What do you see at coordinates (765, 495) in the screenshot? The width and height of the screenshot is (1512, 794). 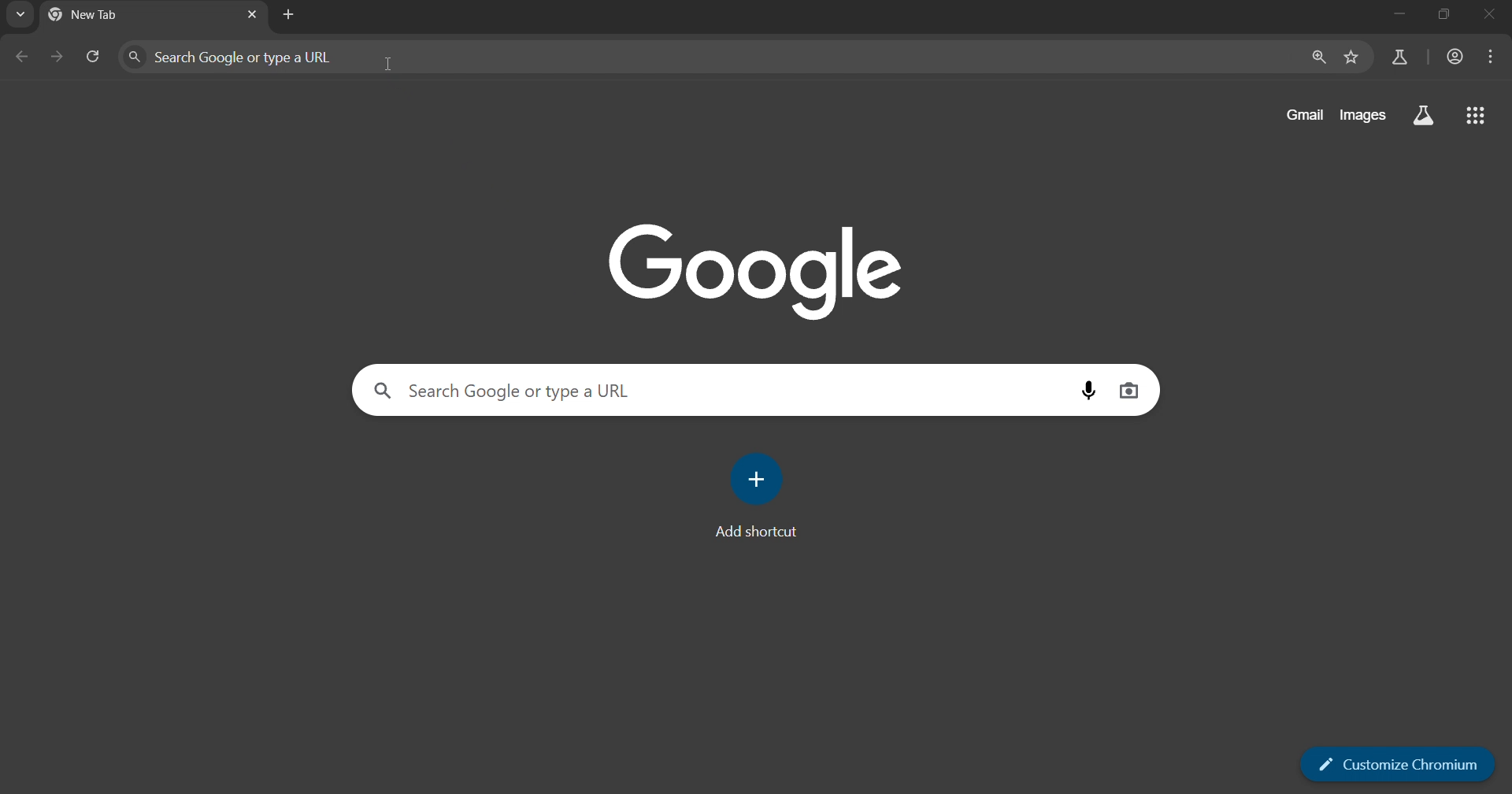 I see `add shortcut` at bounding box center [765, 495].